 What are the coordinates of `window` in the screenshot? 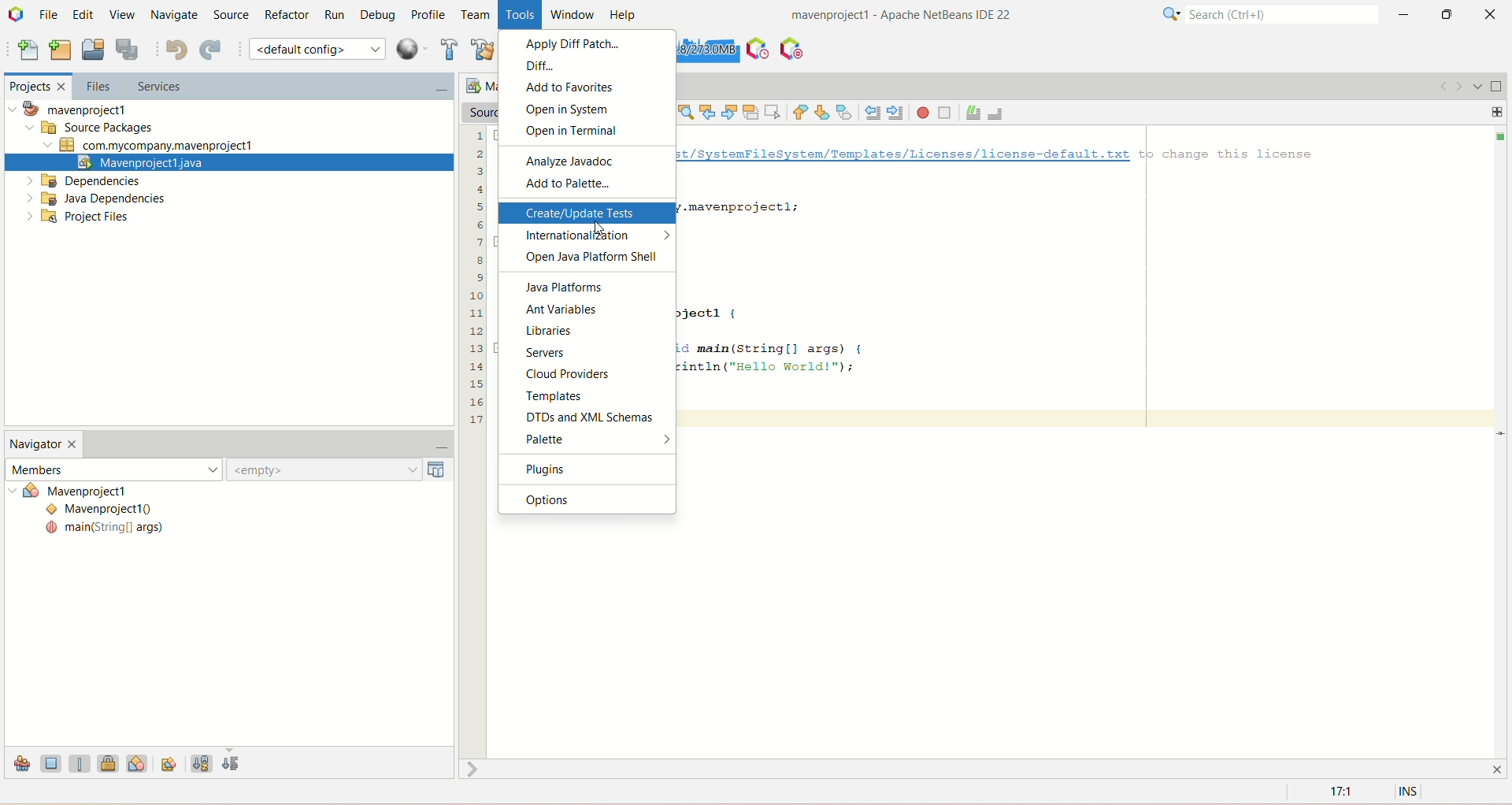 It's located at (577, 15).